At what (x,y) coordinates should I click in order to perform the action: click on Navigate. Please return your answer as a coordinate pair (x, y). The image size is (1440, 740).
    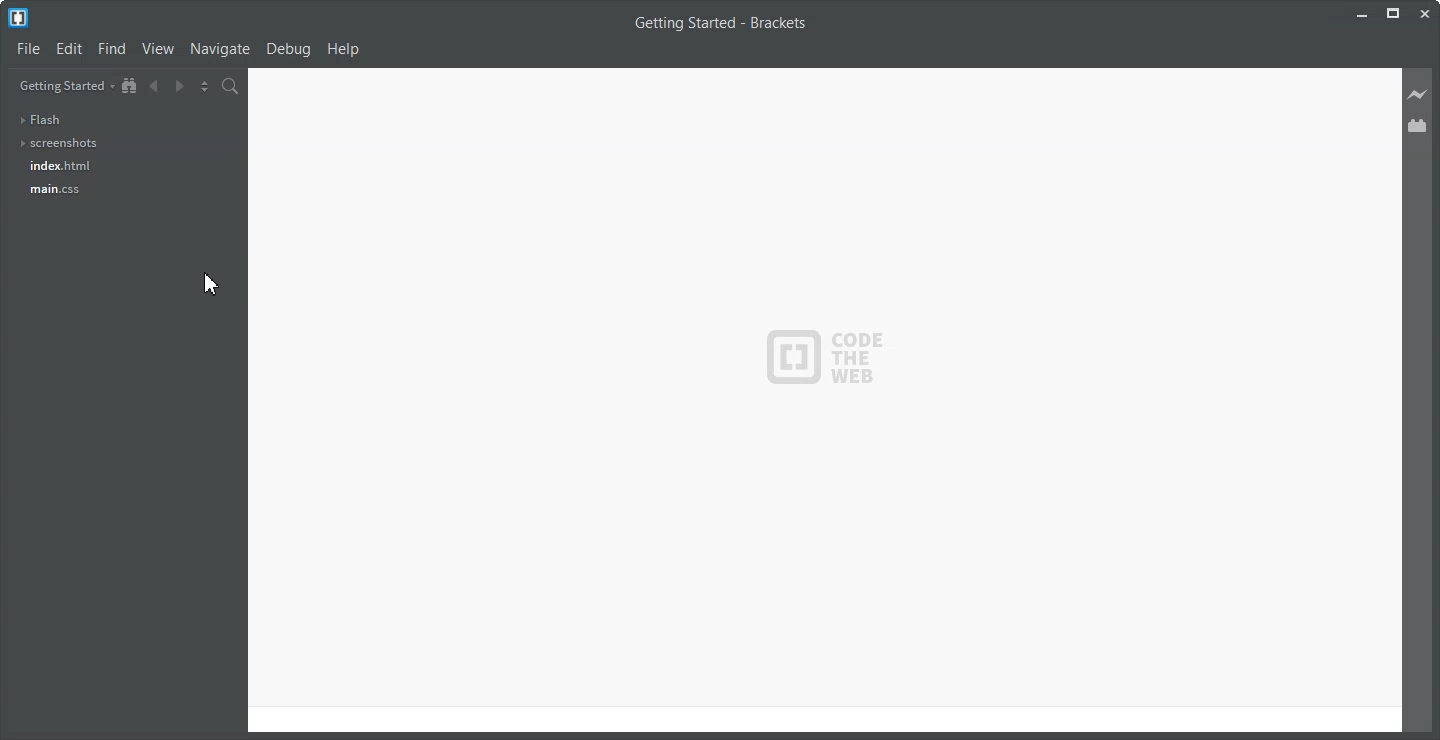
    Looking at the image, I should click on (220, 50).